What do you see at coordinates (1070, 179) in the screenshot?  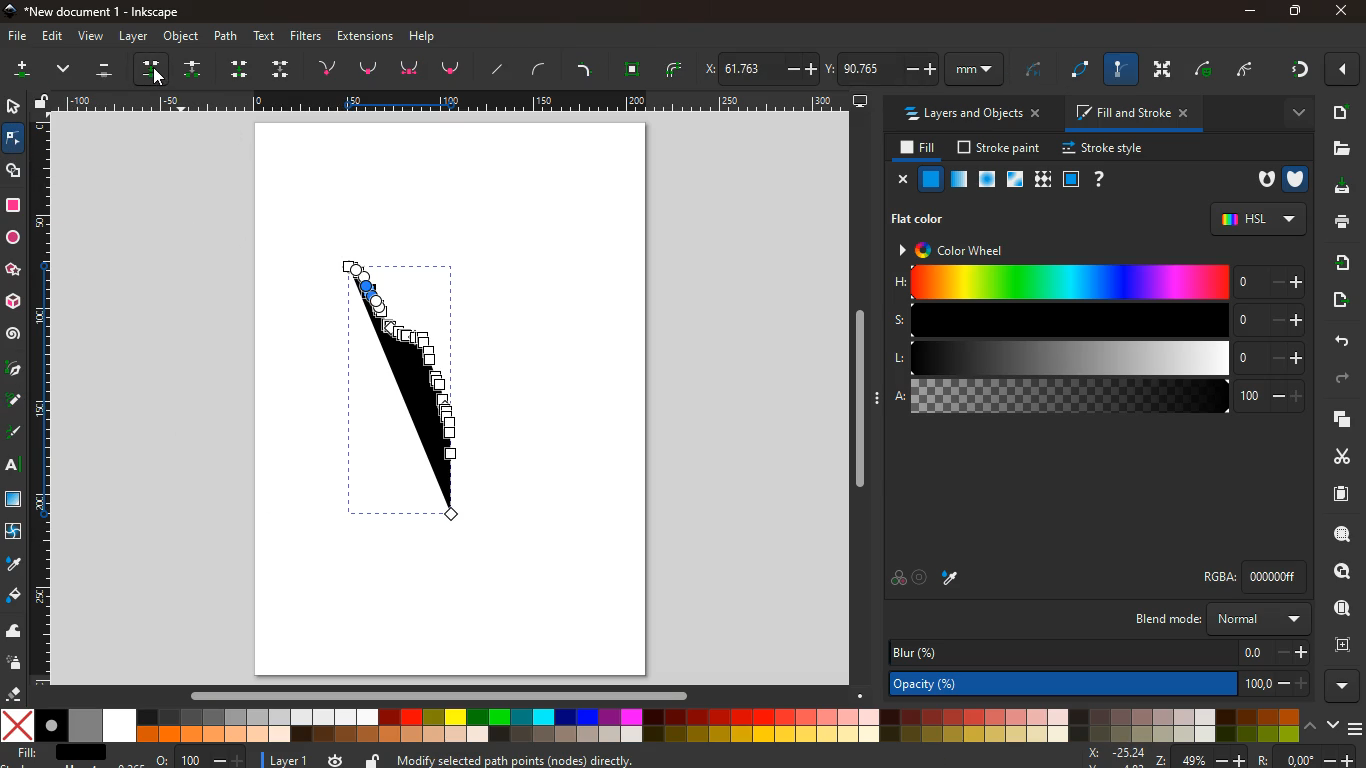 I see `frame` at bounding box center [1070, 179].